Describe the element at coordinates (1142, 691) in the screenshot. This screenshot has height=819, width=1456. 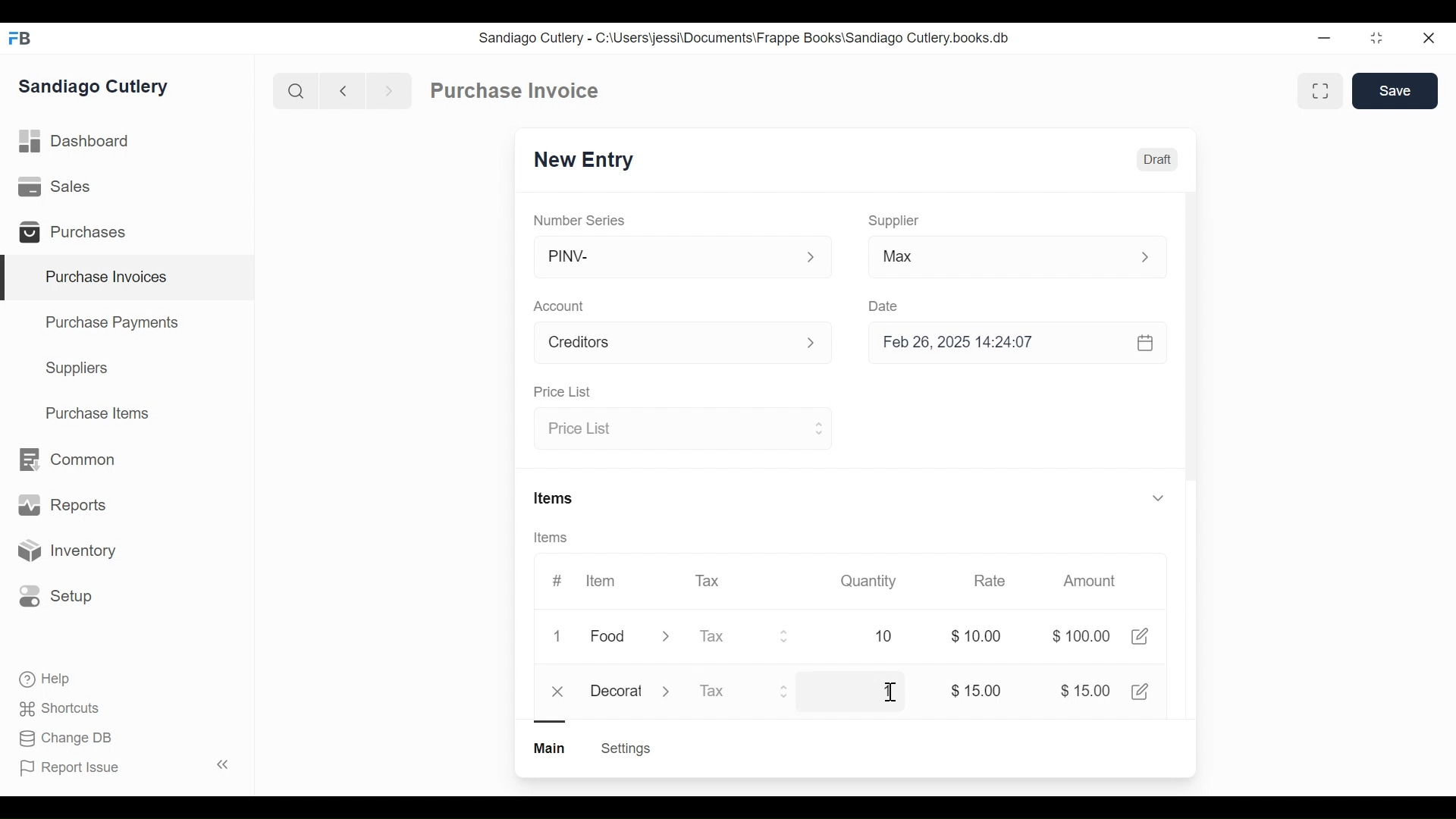
I see `Edit` at that location.